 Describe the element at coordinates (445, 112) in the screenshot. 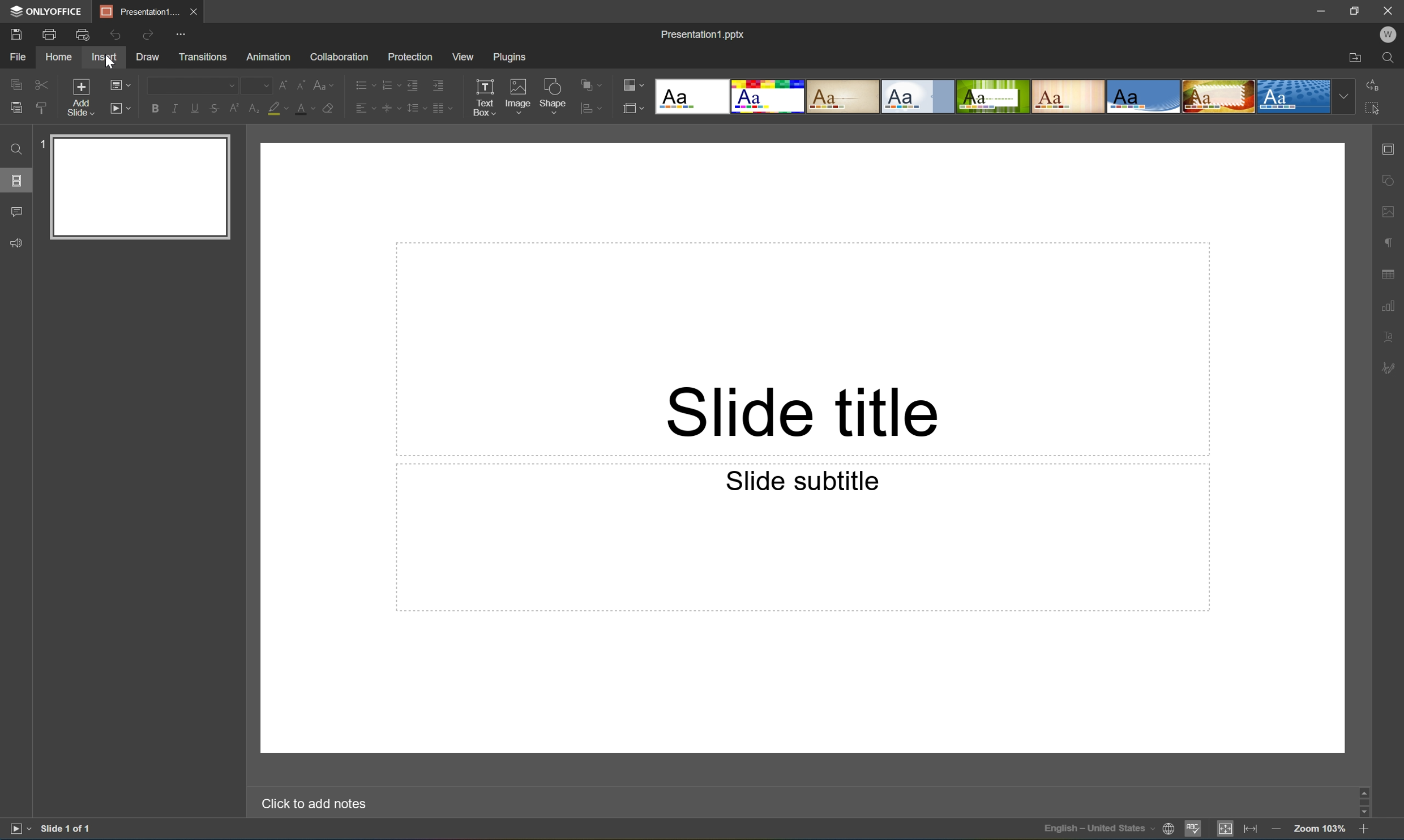

I see `Insert columns` at that location.